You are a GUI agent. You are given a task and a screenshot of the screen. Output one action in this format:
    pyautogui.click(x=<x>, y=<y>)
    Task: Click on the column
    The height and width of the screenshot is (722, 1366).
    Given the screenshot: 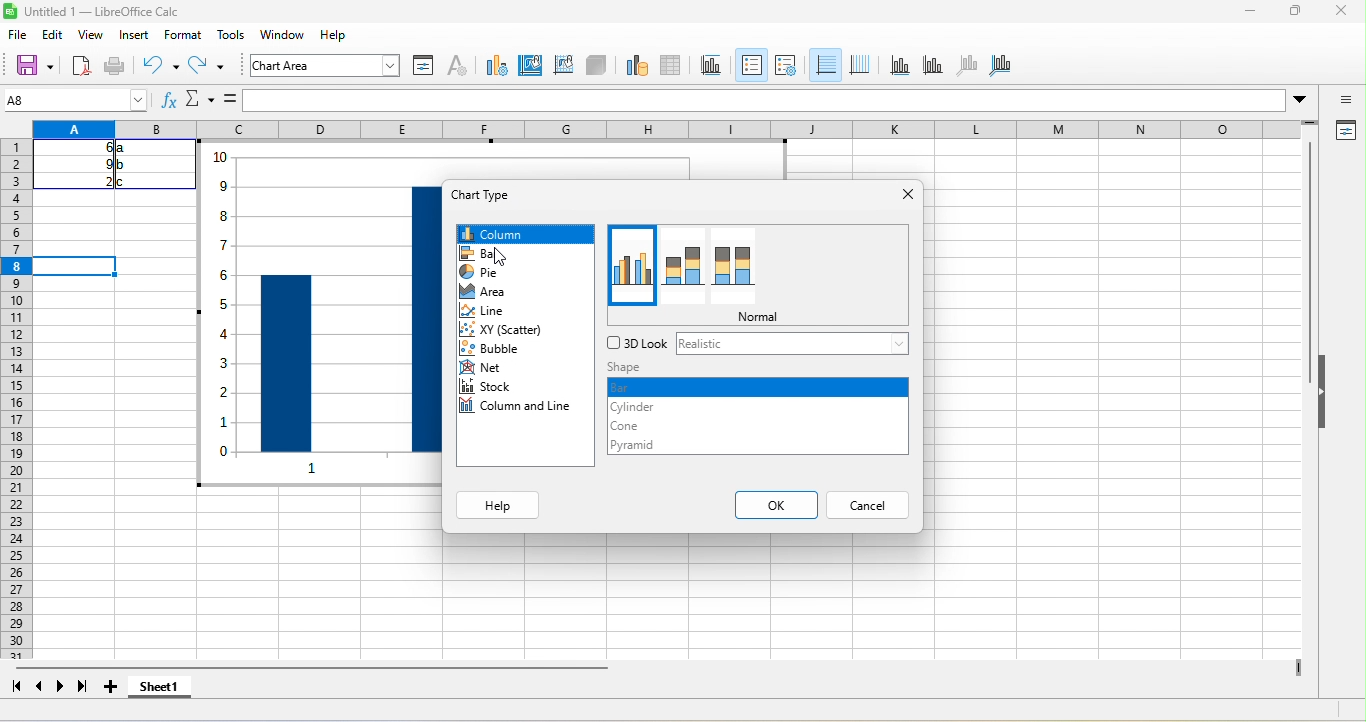 What is the action you would take?
    pyautogui.click(x=525, y=235)
    